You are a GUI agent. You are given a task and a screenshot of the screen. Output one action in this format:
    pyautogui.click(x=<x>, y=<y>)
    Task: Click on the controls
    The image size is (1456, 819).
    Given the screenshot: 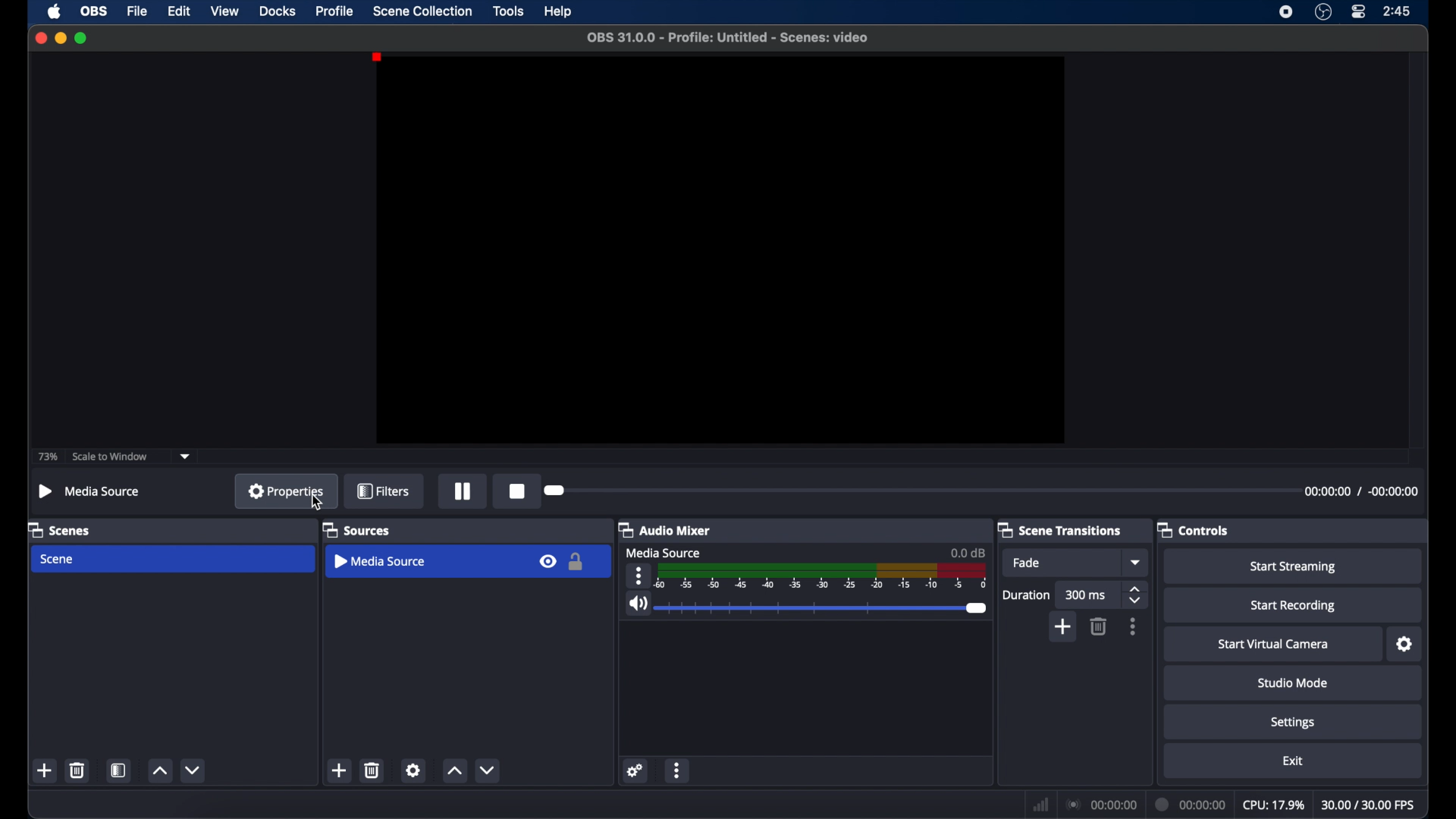 What is the action you would take?
    pyautogui.click(x=1194, y=529)
    